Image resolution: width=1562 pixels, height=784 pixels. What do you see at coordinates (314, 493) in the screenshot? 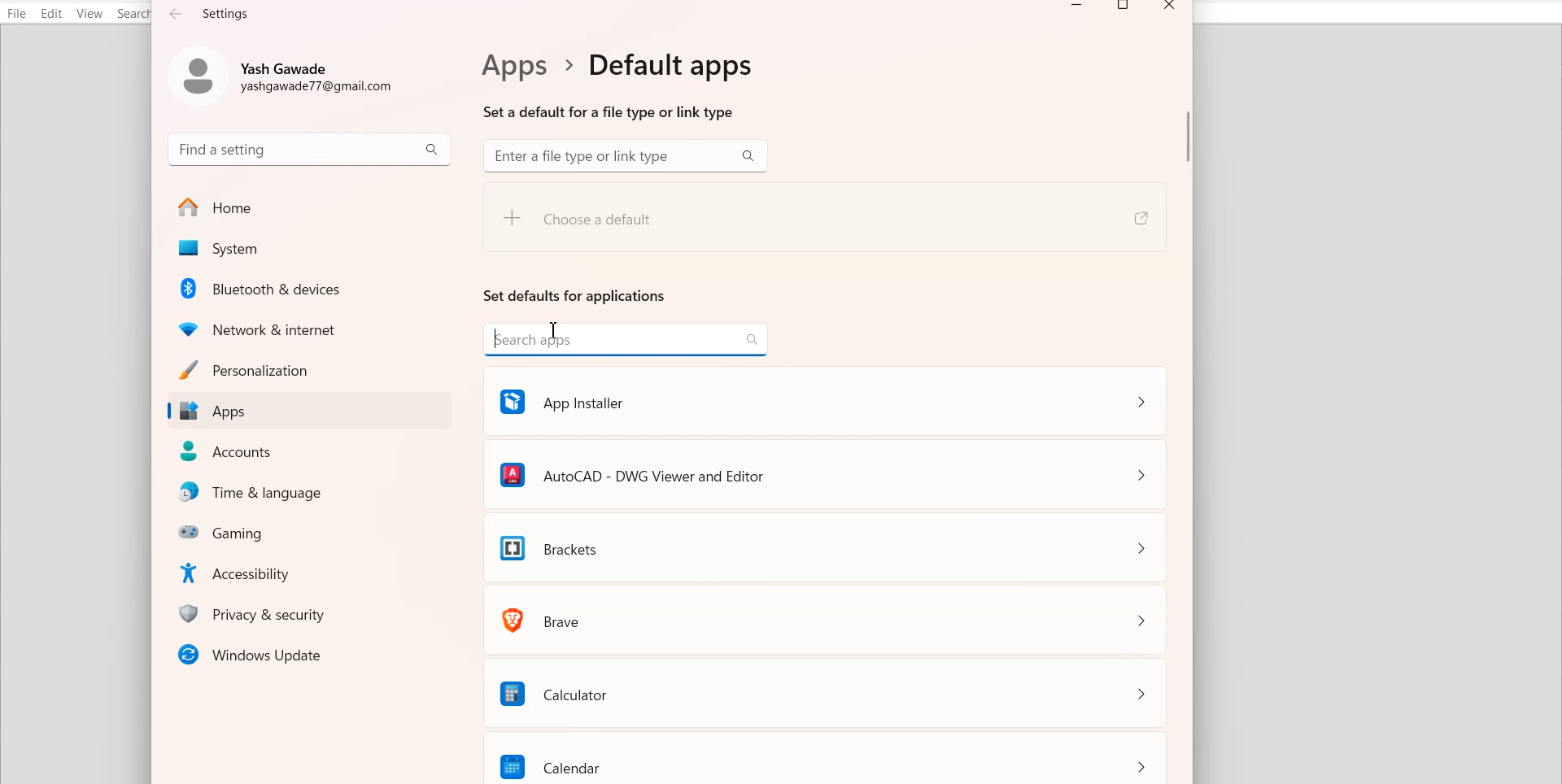
I see `Time & Language` at bounding box center [314, 493].